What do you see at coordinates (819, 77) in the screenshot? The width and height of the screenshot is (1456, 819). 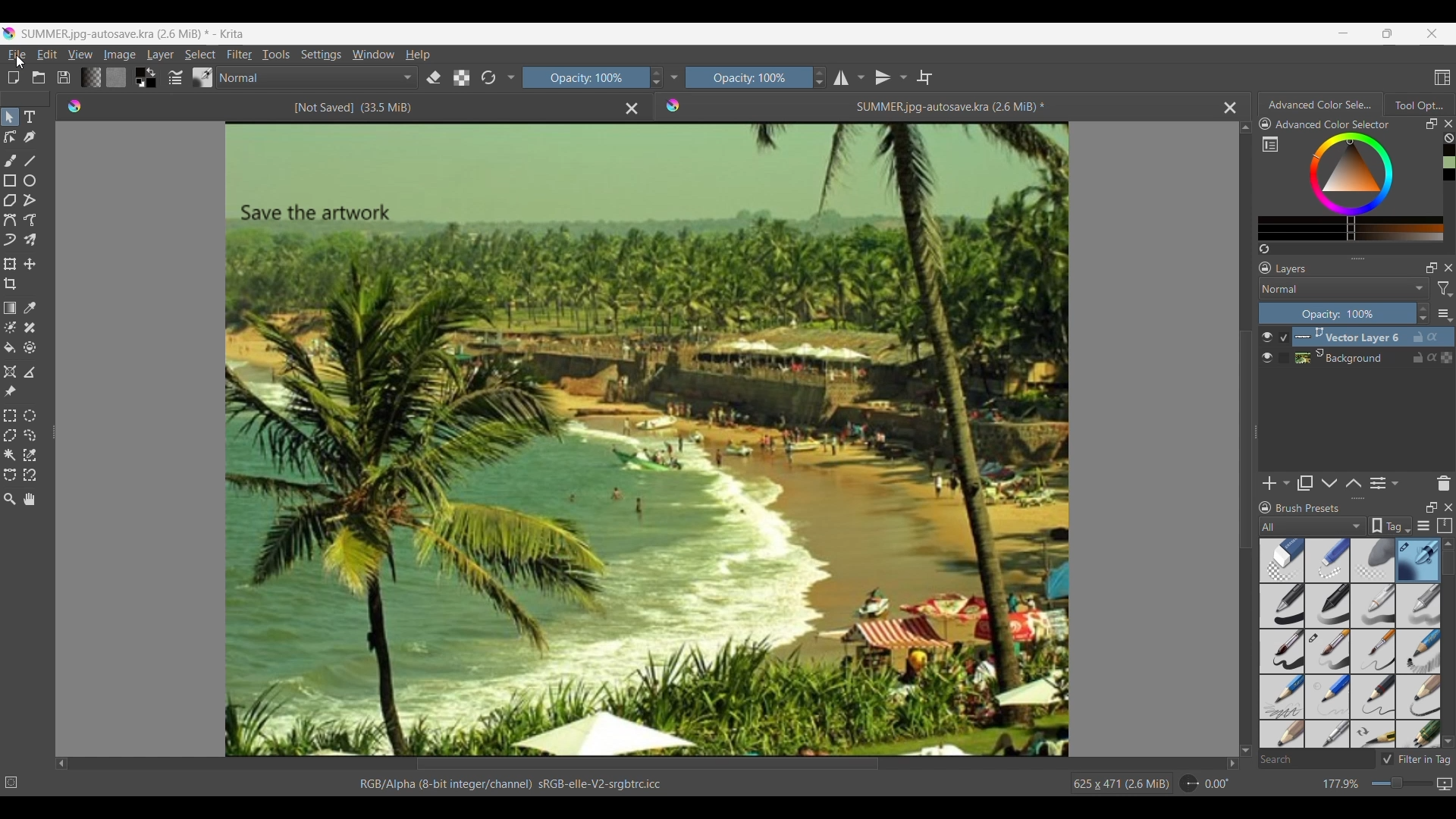 I see `Increase/Decrease opacity` at bounding box center [819, 77].